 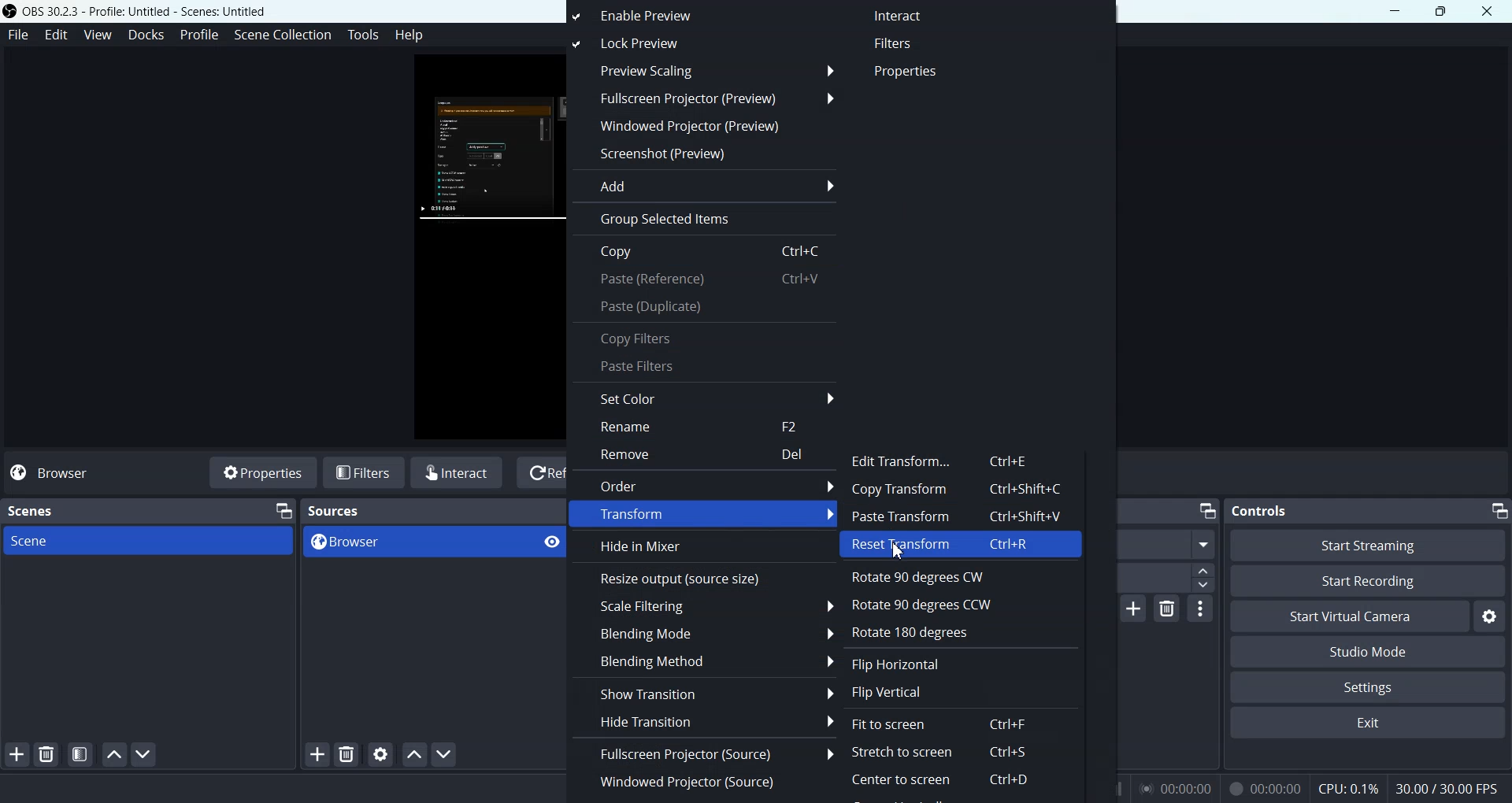 I want to click on Maximize, so click(x=1441, y=12).